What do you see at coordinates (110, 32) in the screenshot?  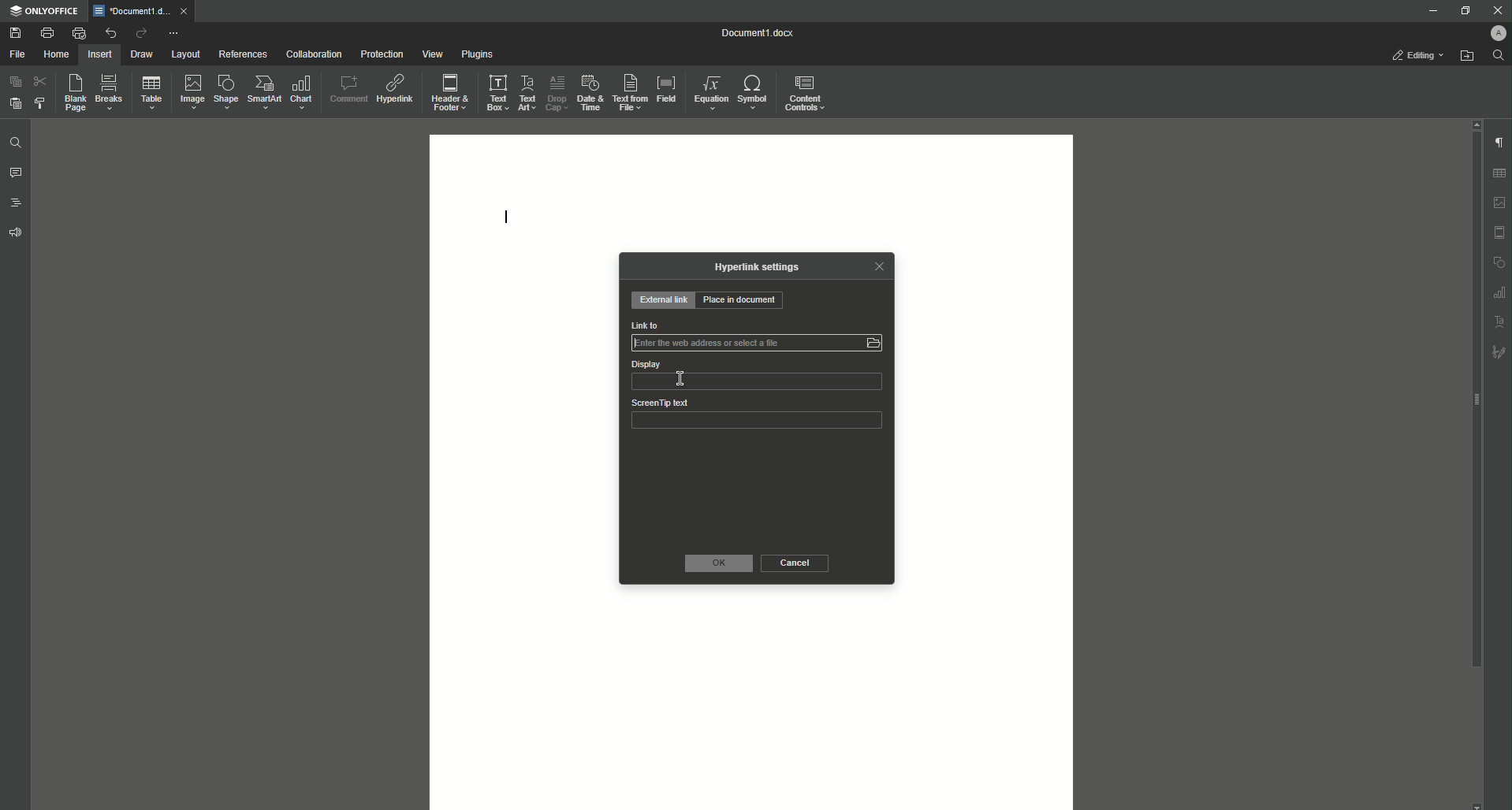 I see `Undo` at bounding box center [110, 32].